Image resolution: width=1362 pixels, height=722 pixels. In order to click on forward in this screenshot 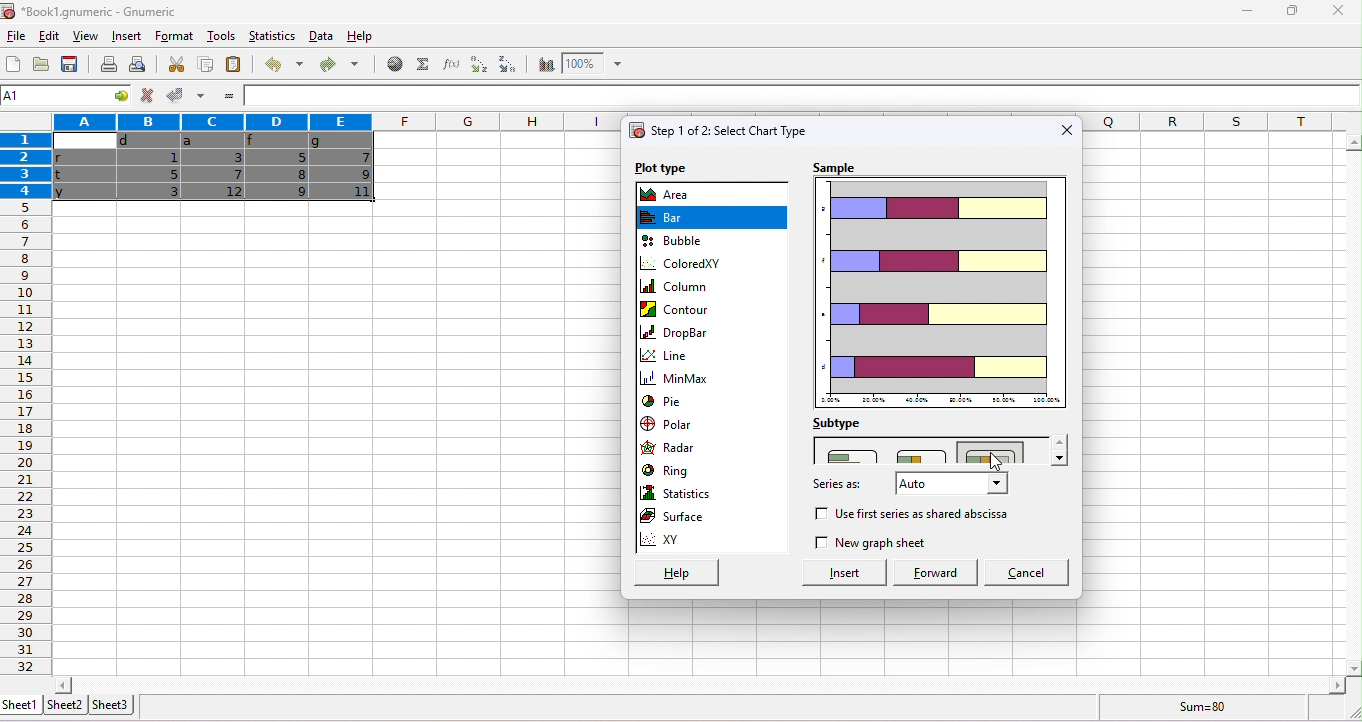, I will do `click(932, 573)`.